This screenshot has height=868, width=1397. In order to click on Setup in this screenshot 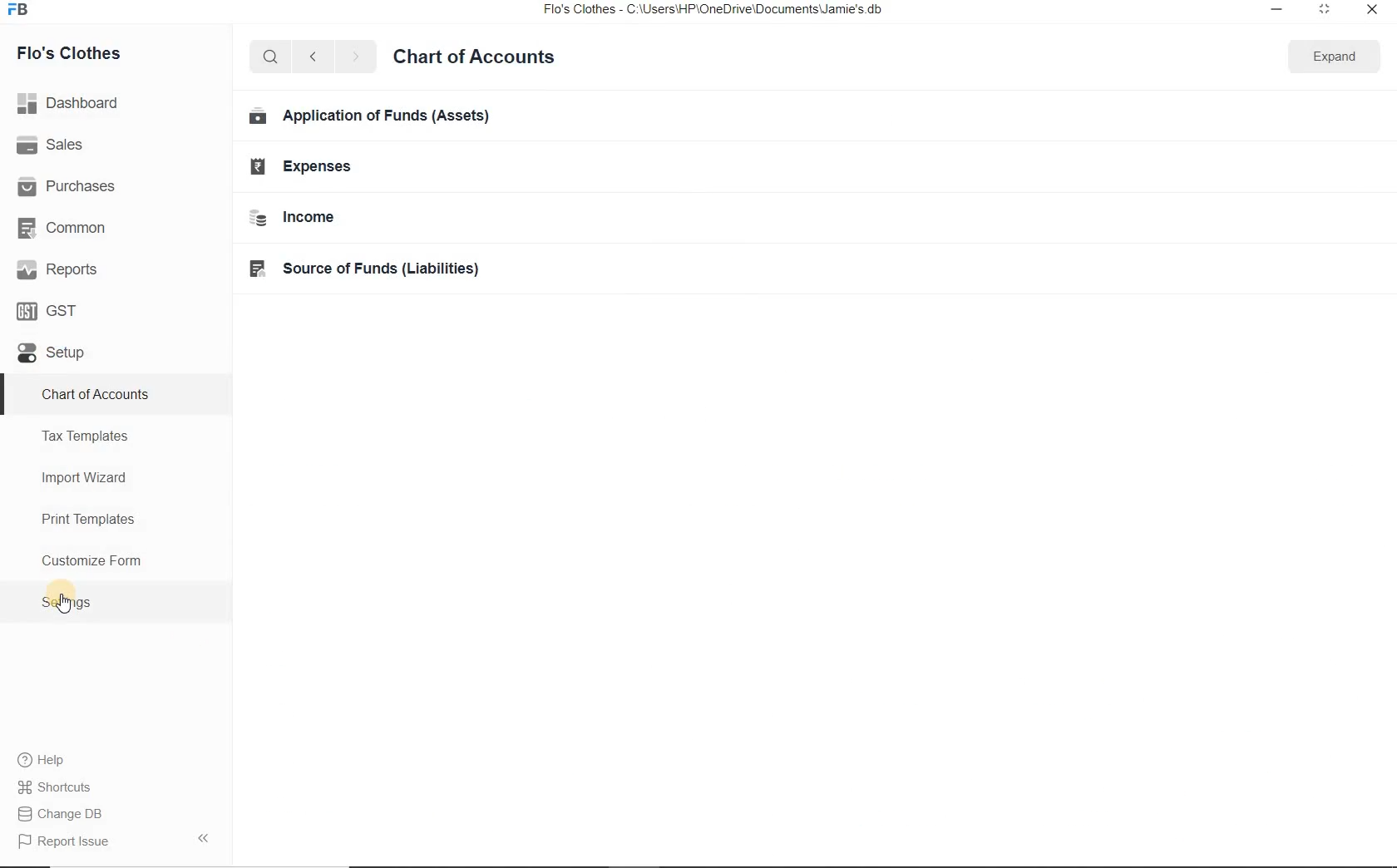, I will do `click(50, 357)`.